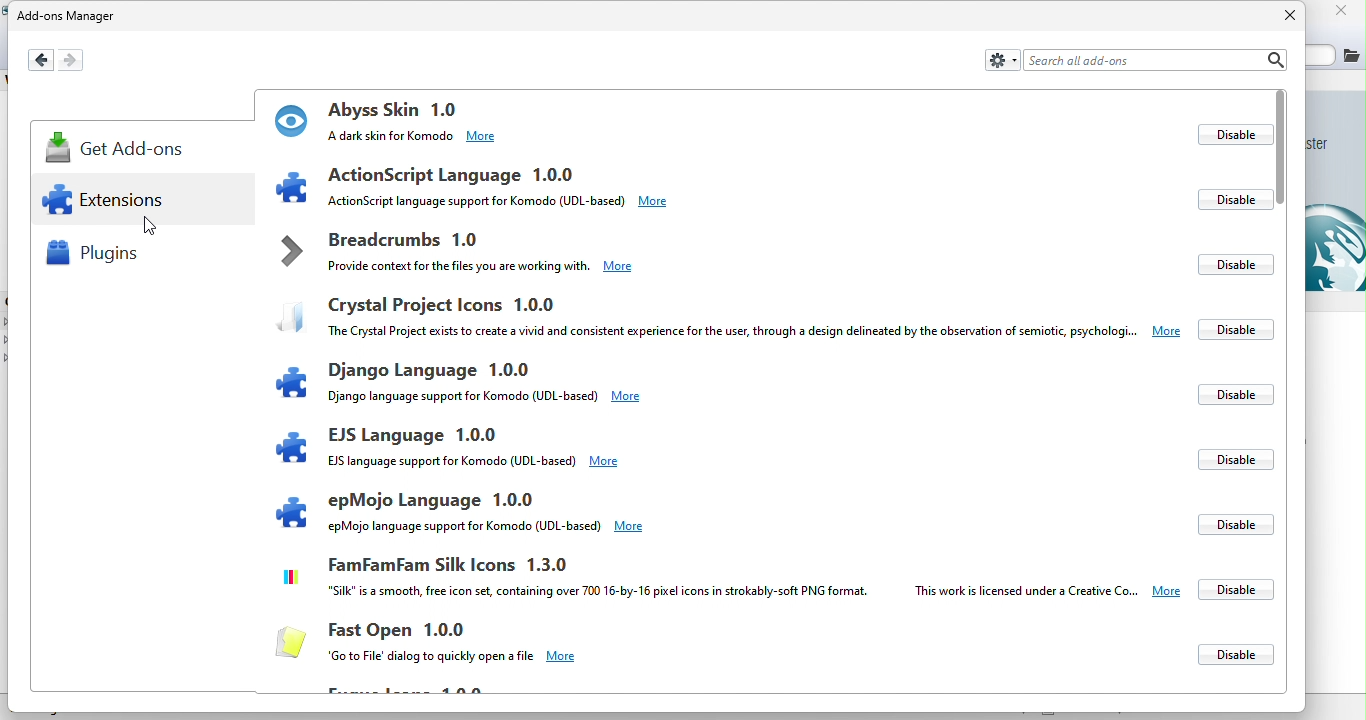 Image resolution: width=1366 pixels, height=720 pixels. Describe the element at coordinates (1223, 458) in the screenshot. I see `disable` at that location.